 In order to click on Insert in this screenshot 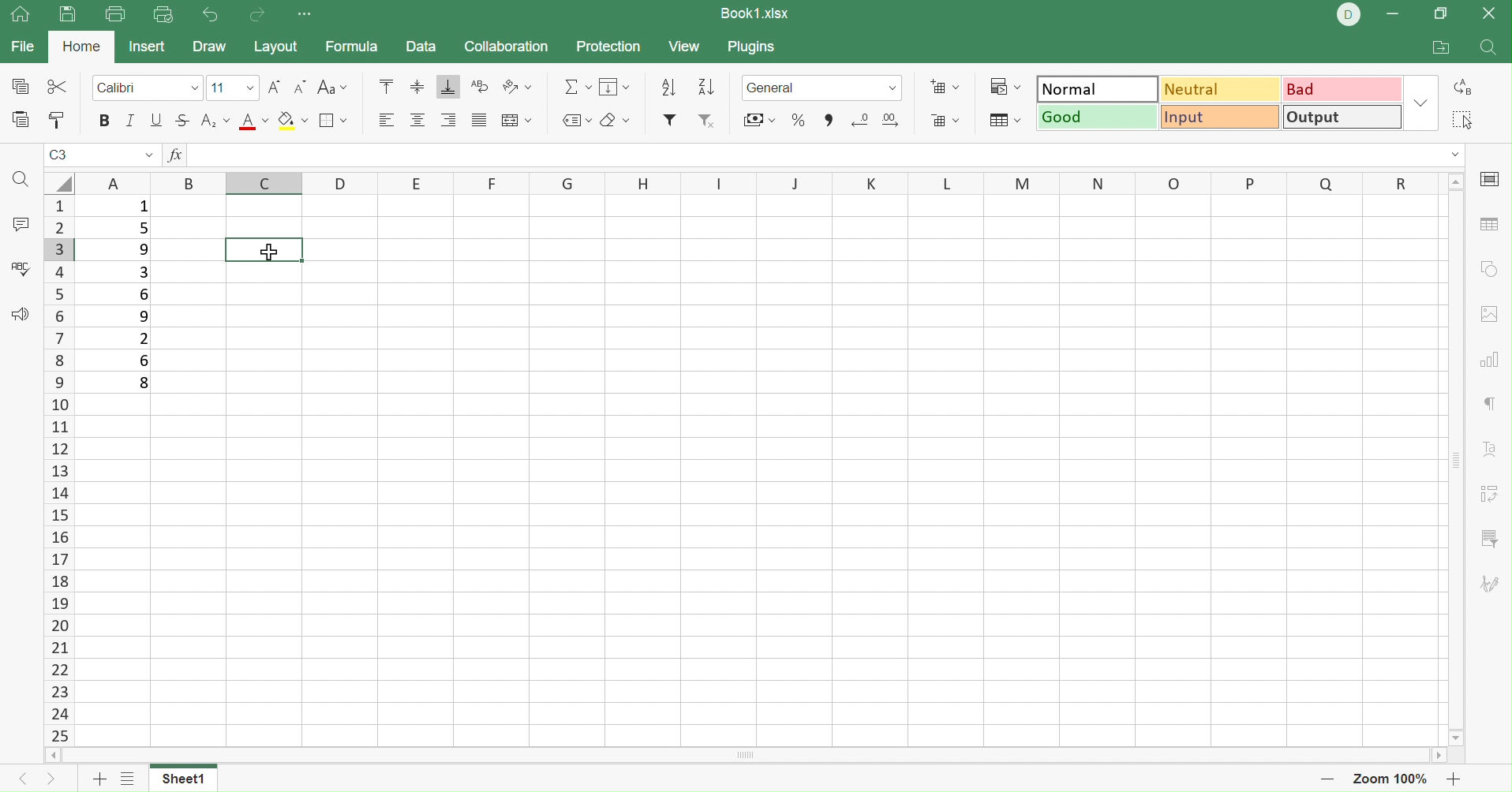, I will do `click(148, 47)`.